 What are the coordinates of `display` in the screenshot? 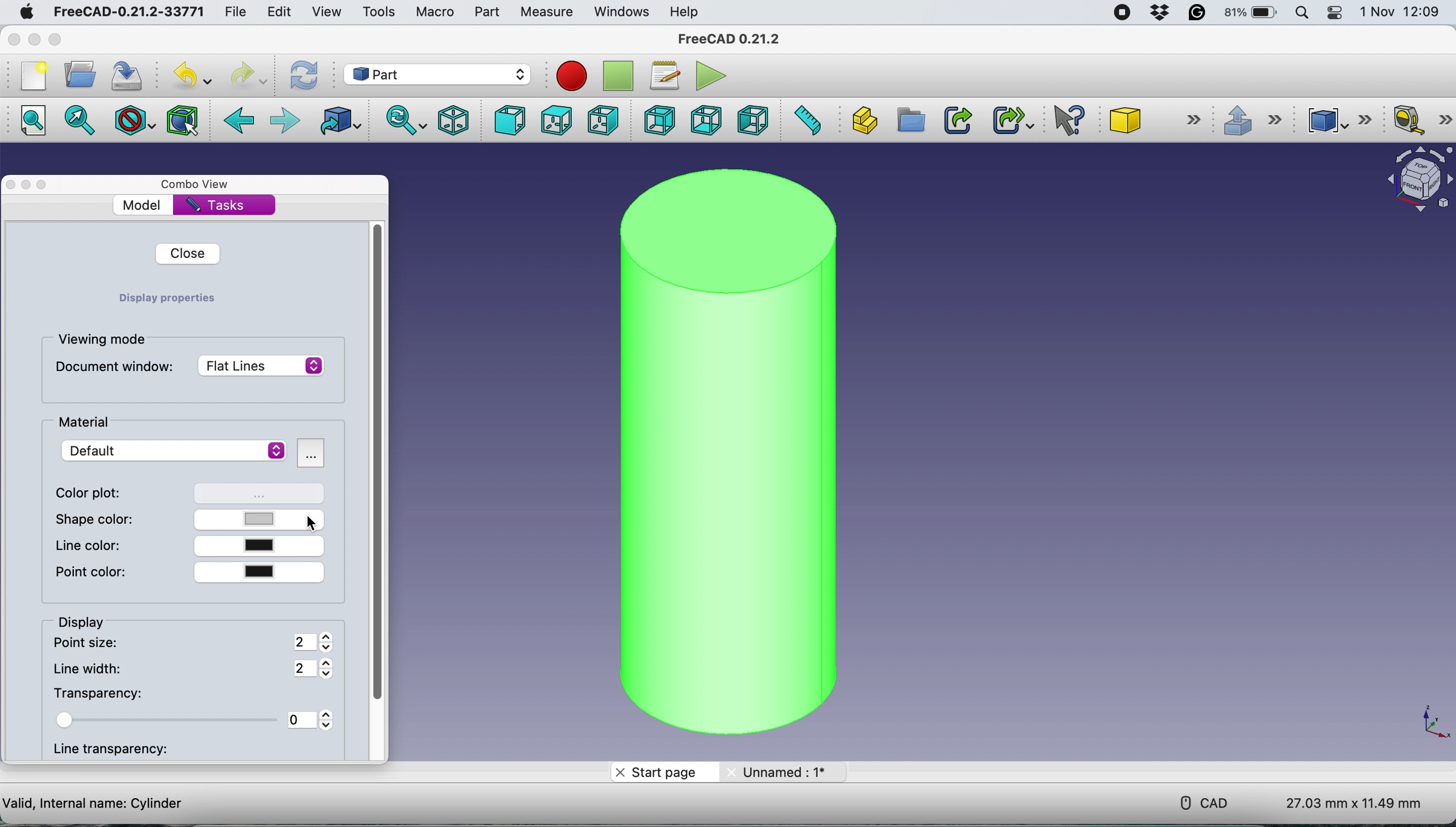 It's located at (82, 621).